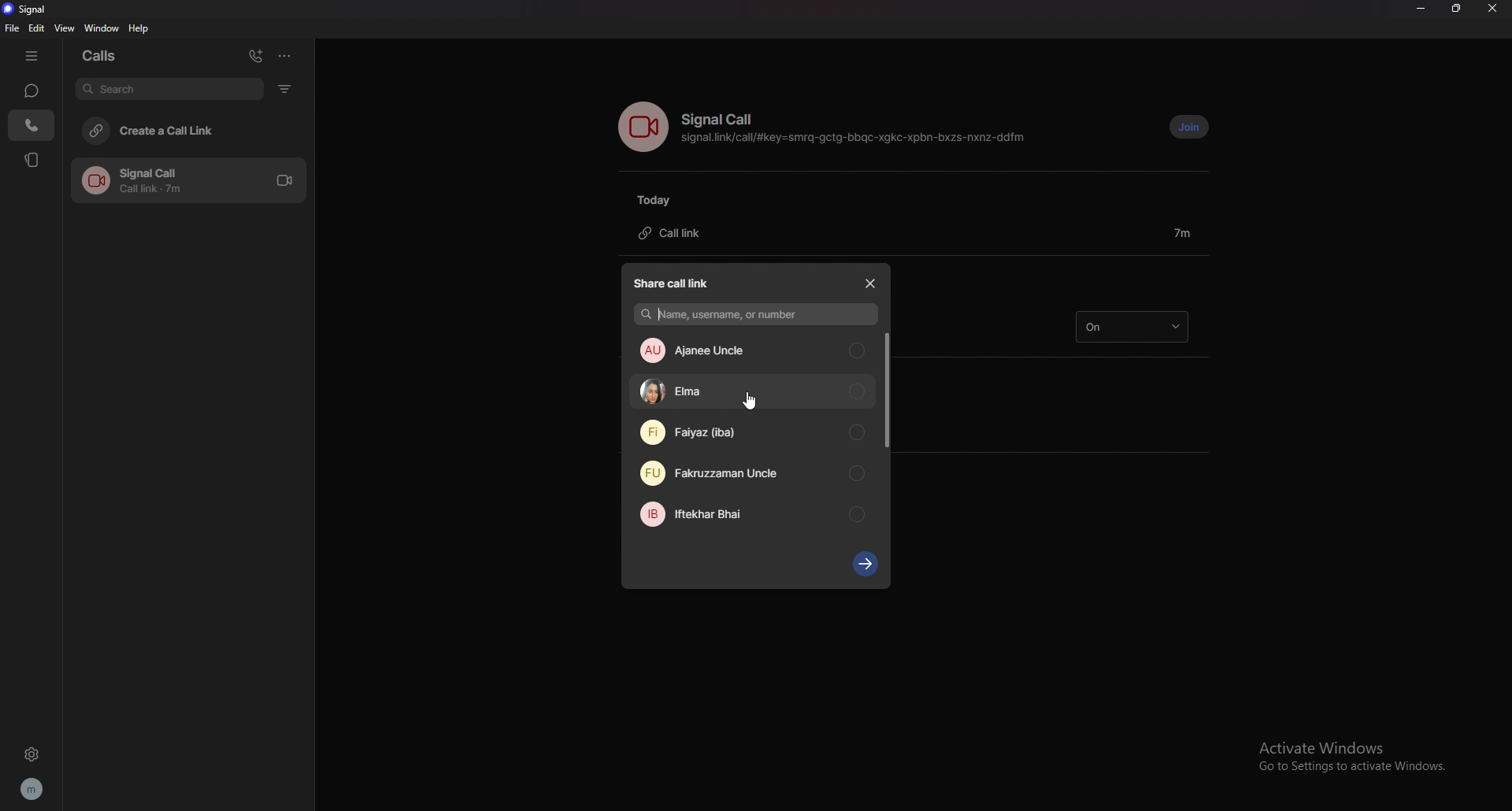  Describe the element at coordinates (34, 159) in the screenshot. I see `stories` at that location.